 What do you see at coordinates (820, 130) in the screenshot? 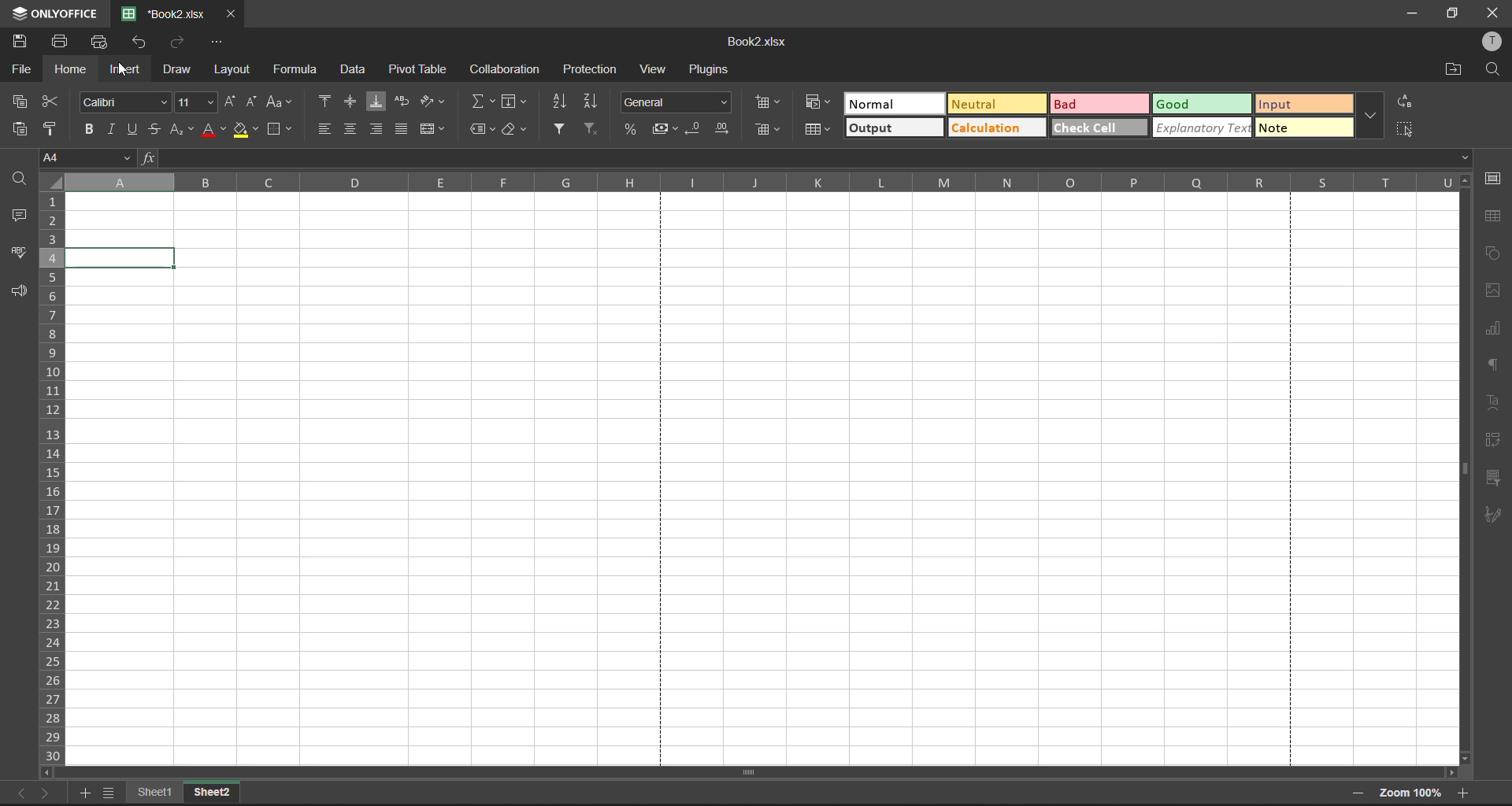
I see `format as table` at bounding box center [820, 130].